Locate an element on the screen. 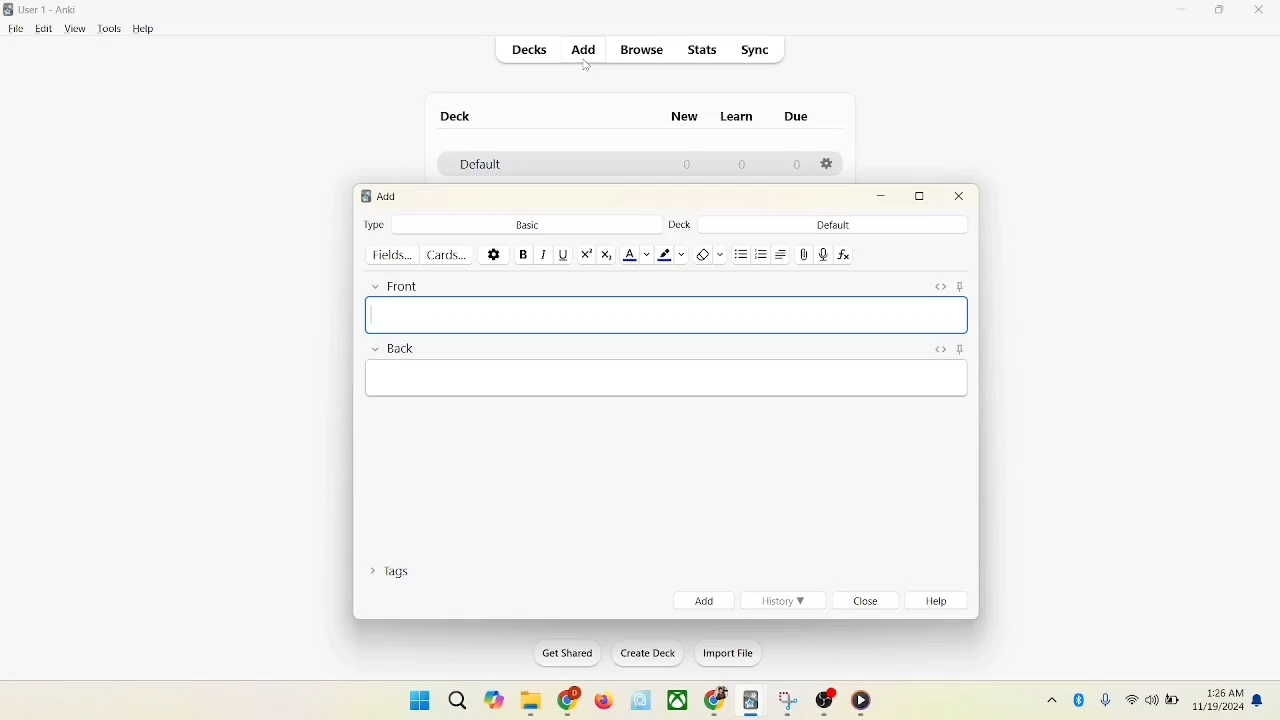 The height and width of the screenshot is (720, 1280). deck is located at coordinates (678, 225).